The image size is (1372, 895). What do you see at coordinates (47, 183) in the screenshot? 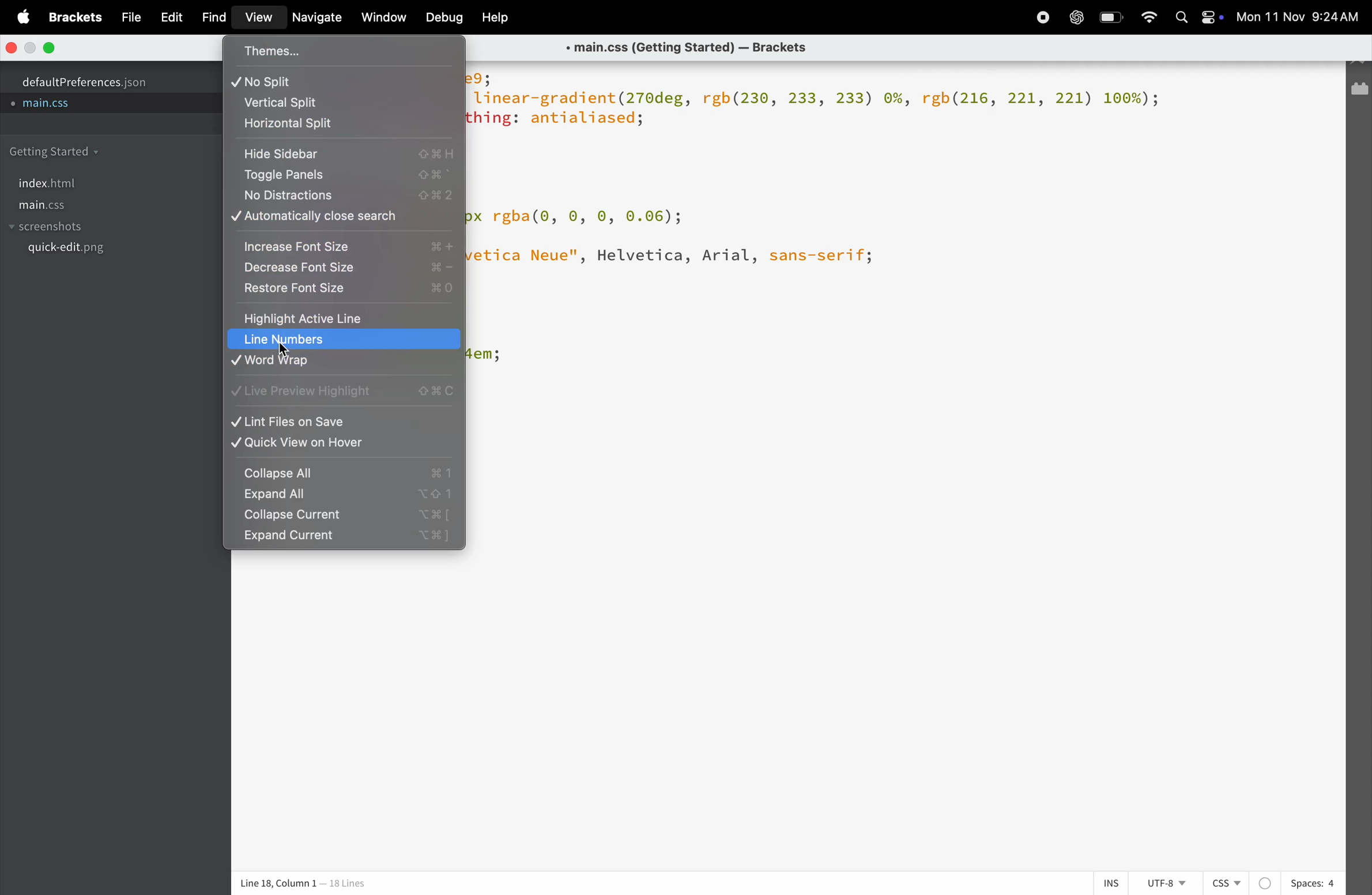
I see `index.html` at bounding box center [47, 183].